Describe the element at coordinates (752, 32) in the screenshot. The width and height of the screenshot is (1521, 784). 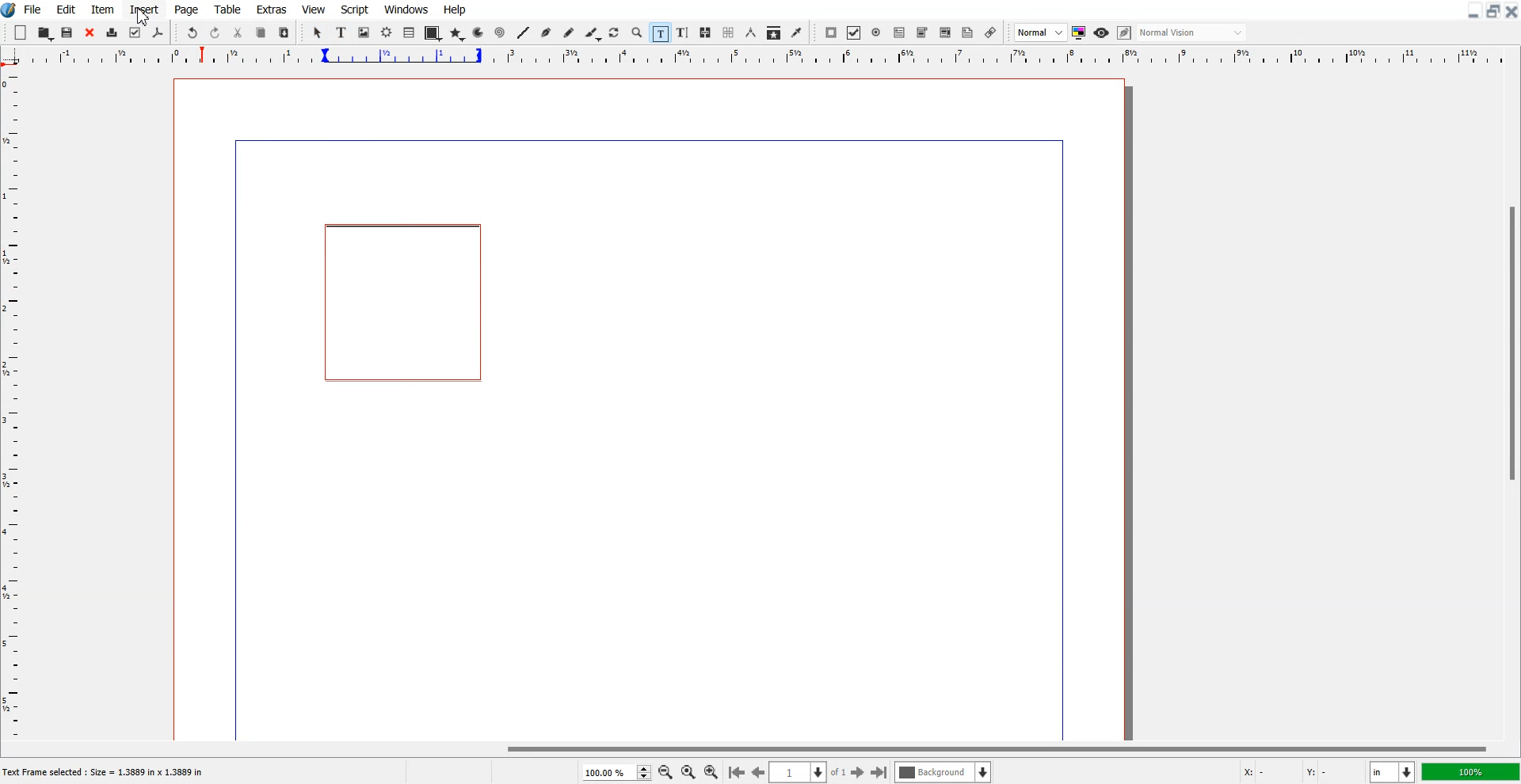
I see `Measurements` at that location.